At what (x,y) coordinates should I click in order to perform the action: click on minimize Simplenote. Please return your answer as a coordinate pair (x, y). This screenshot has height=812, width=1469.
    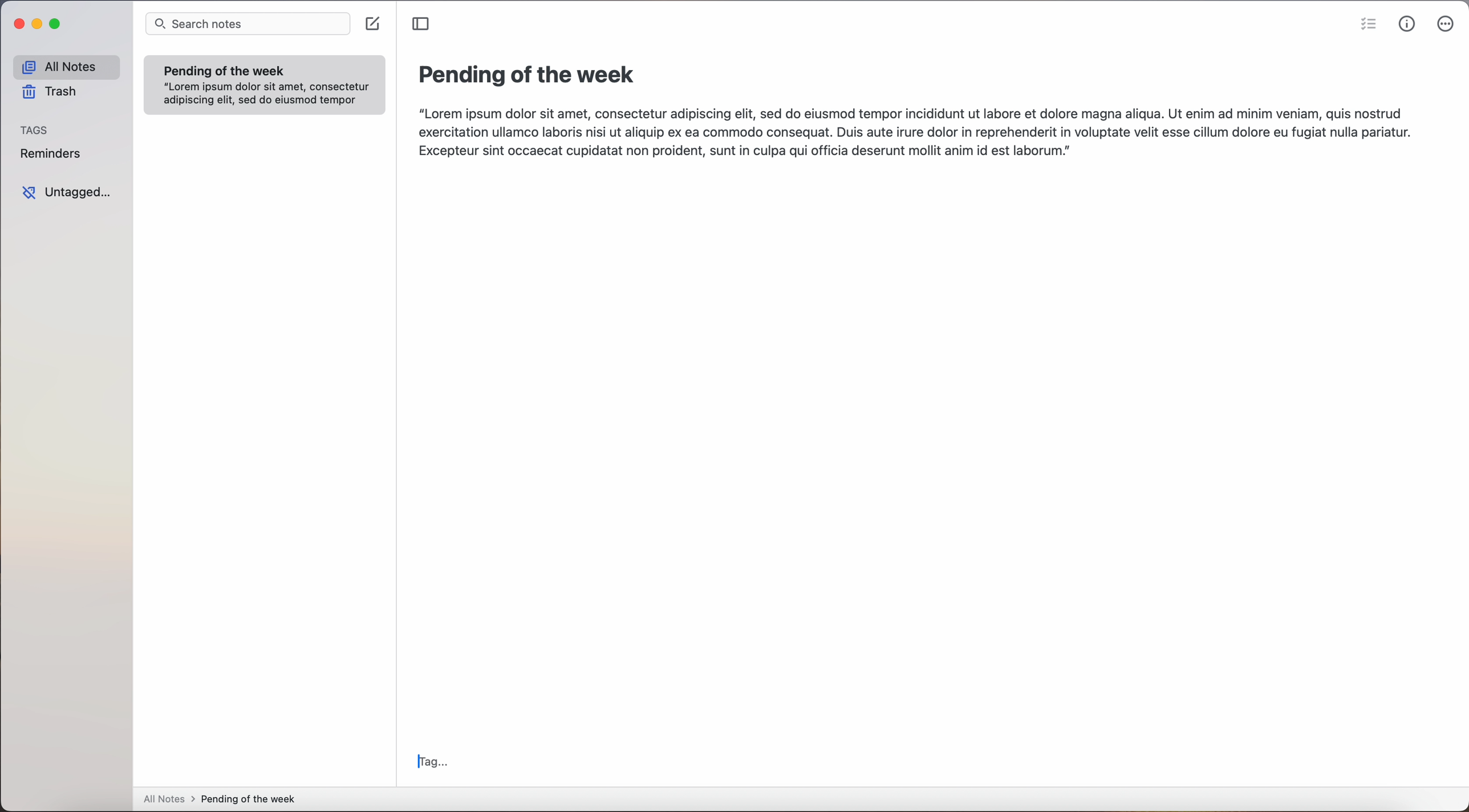
    Looking at the image, I should click on (38, 23).